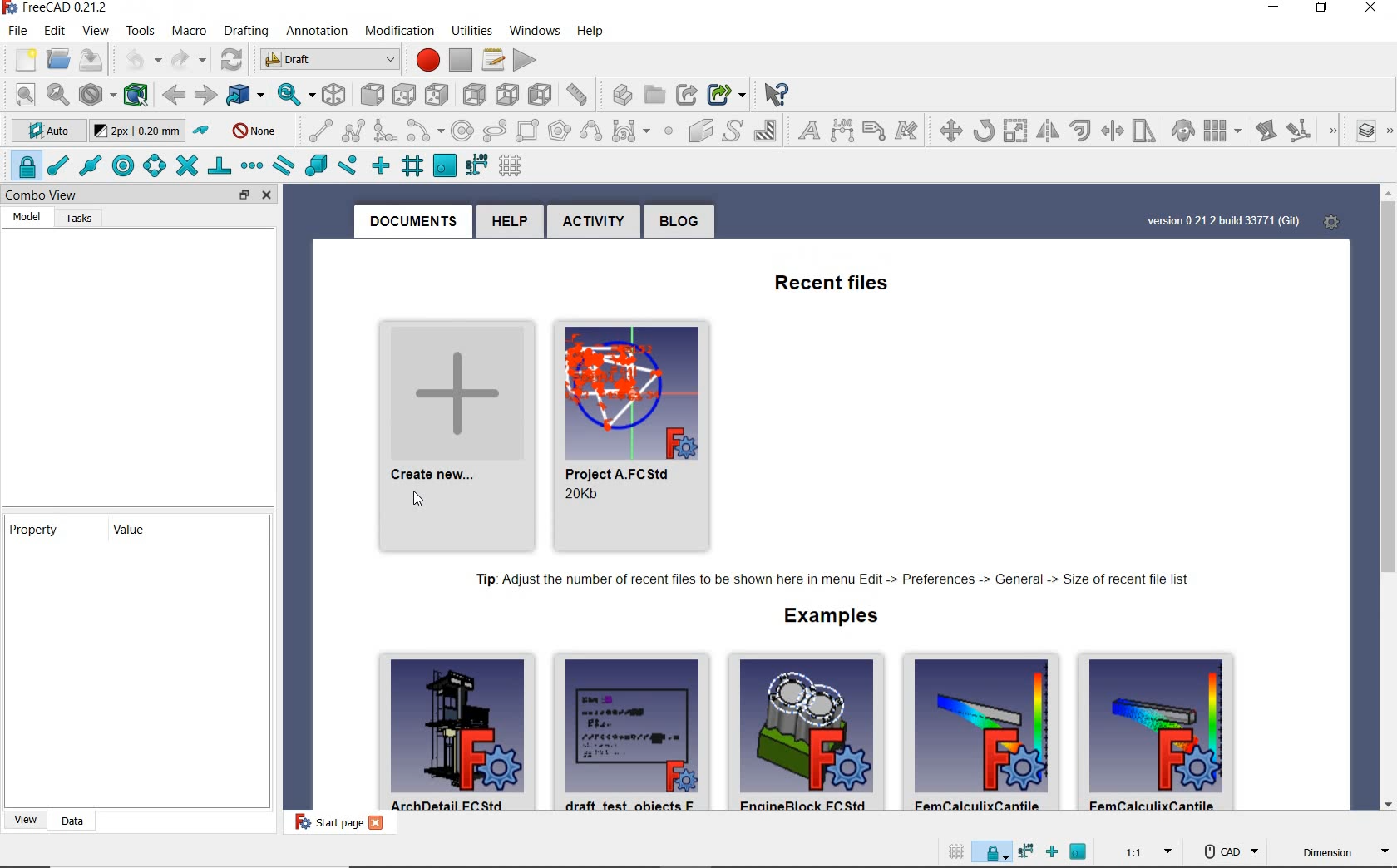 This screenshot has width=1397, height=868. Describe the element at coordinates (1333, 216) in the screenshot. I see `settings` at that location.